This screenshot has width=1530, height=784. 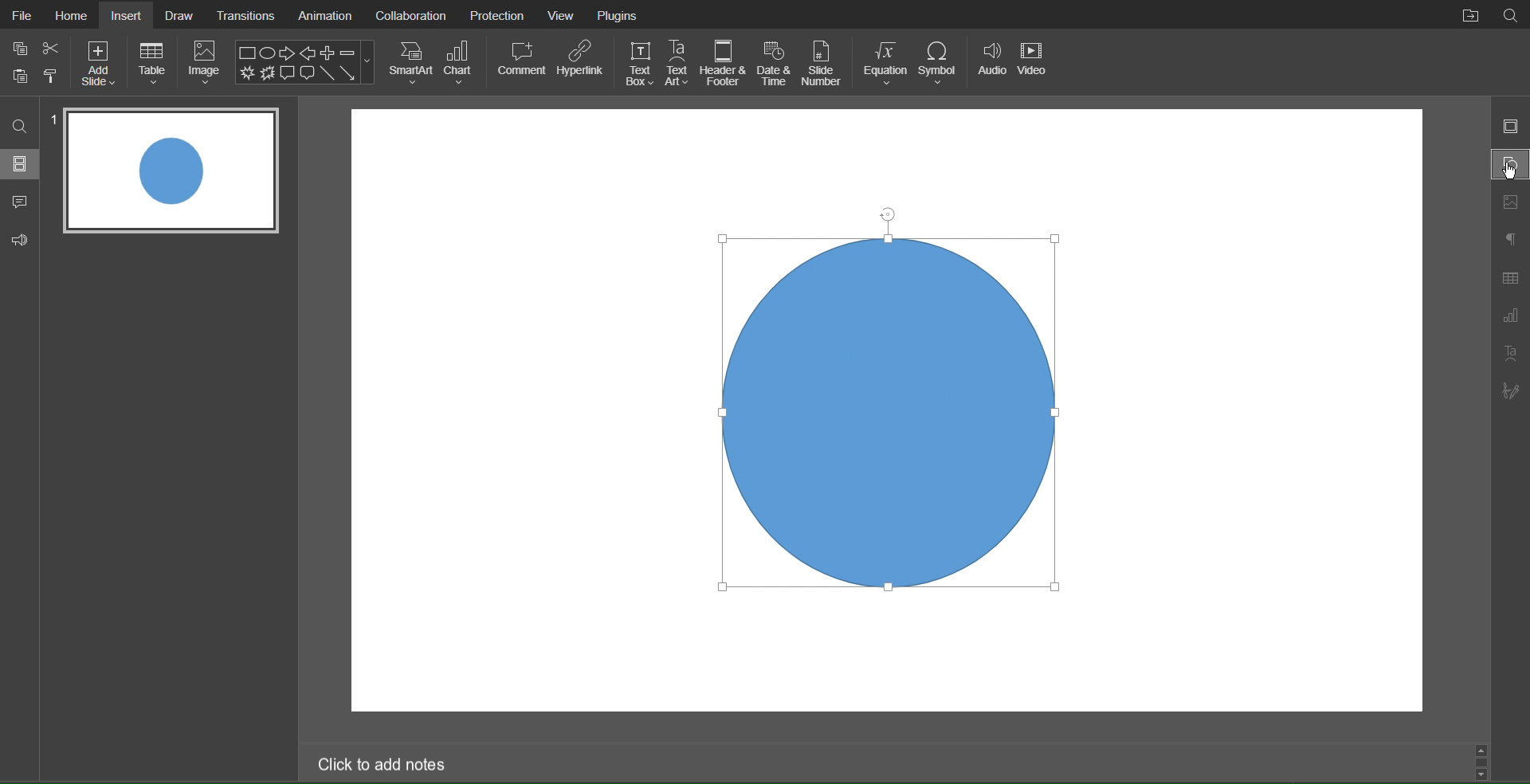 I want to click on Insert, so click(x=127, y=14).